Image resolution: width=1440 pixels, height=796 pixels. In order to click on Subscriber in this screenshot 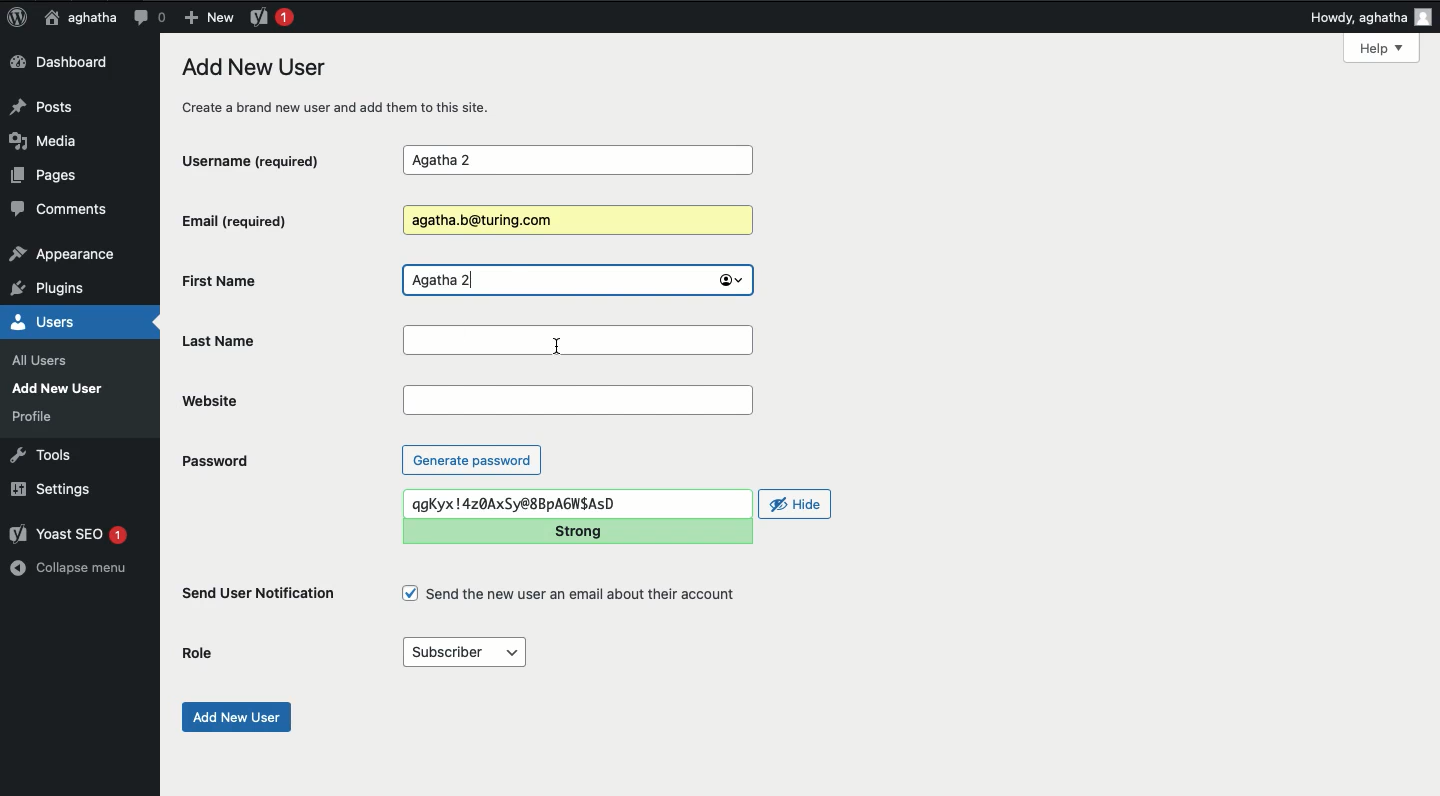, I will do `click(463, 653)`.